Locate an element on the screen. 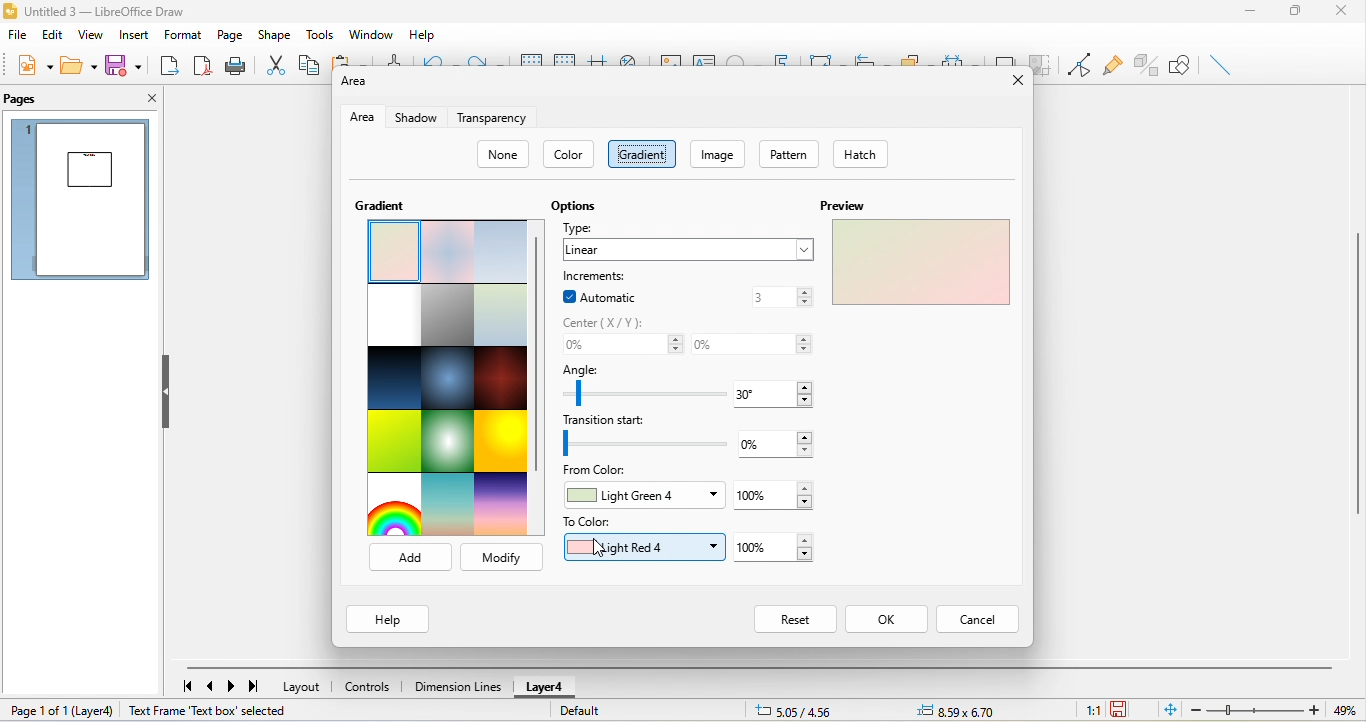  page 1 of 1 is located at coordinates (37, 712).